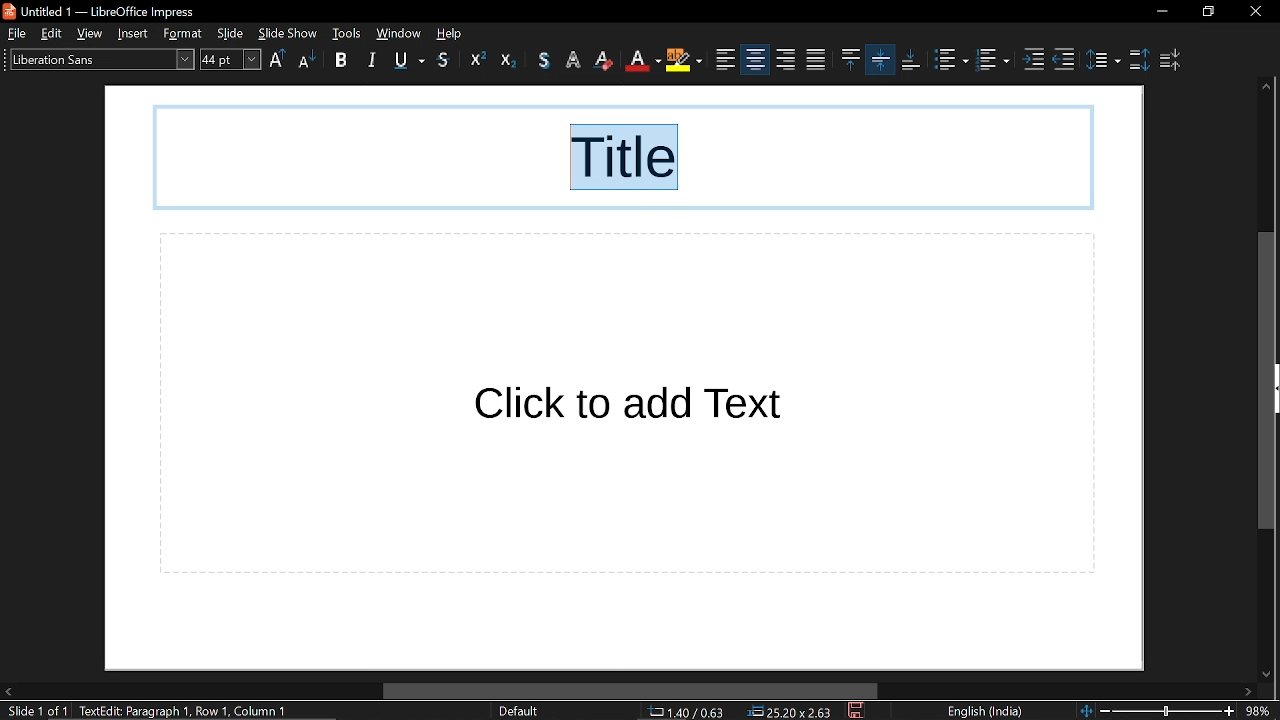 This screenshot has height=720, width=1280. Describe the element at coordinates (287, 32) in the screenshot. I see `slide show` at that location.